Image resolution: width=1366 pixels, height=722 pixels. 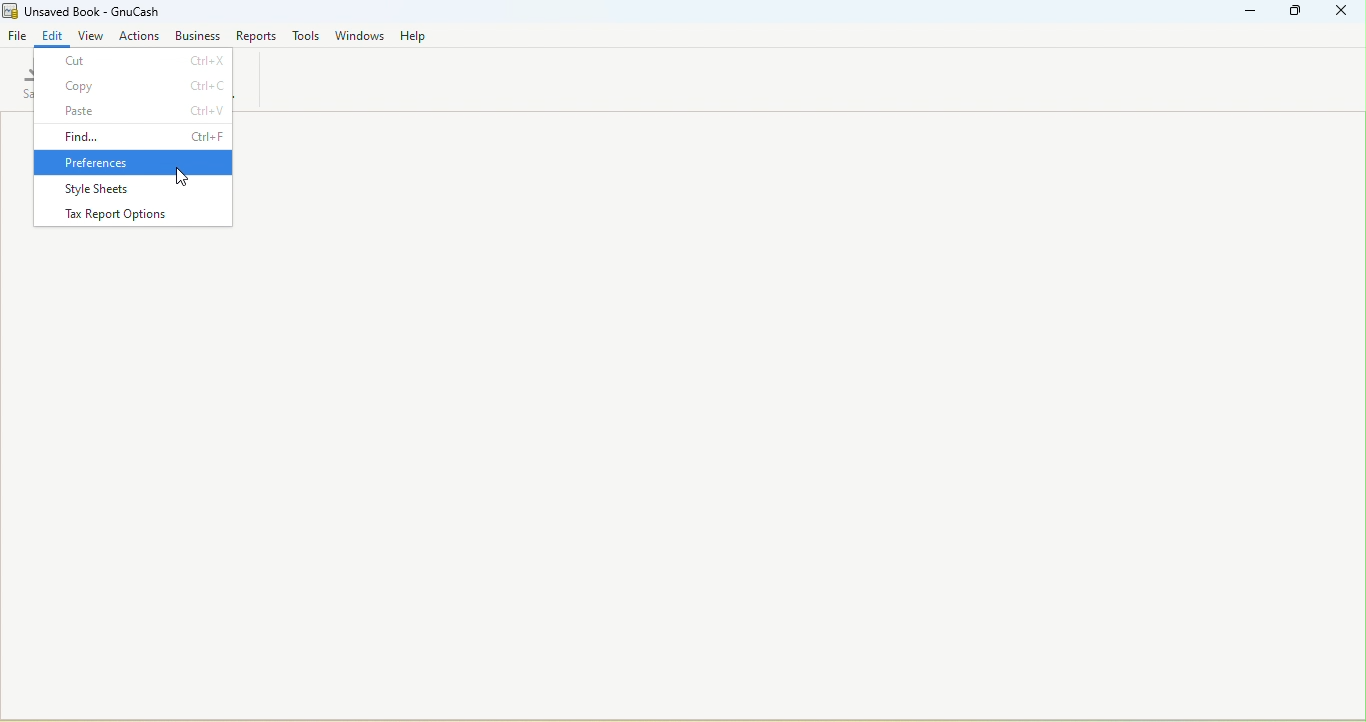 I want to click on Close, so click(x=1340, y=14).